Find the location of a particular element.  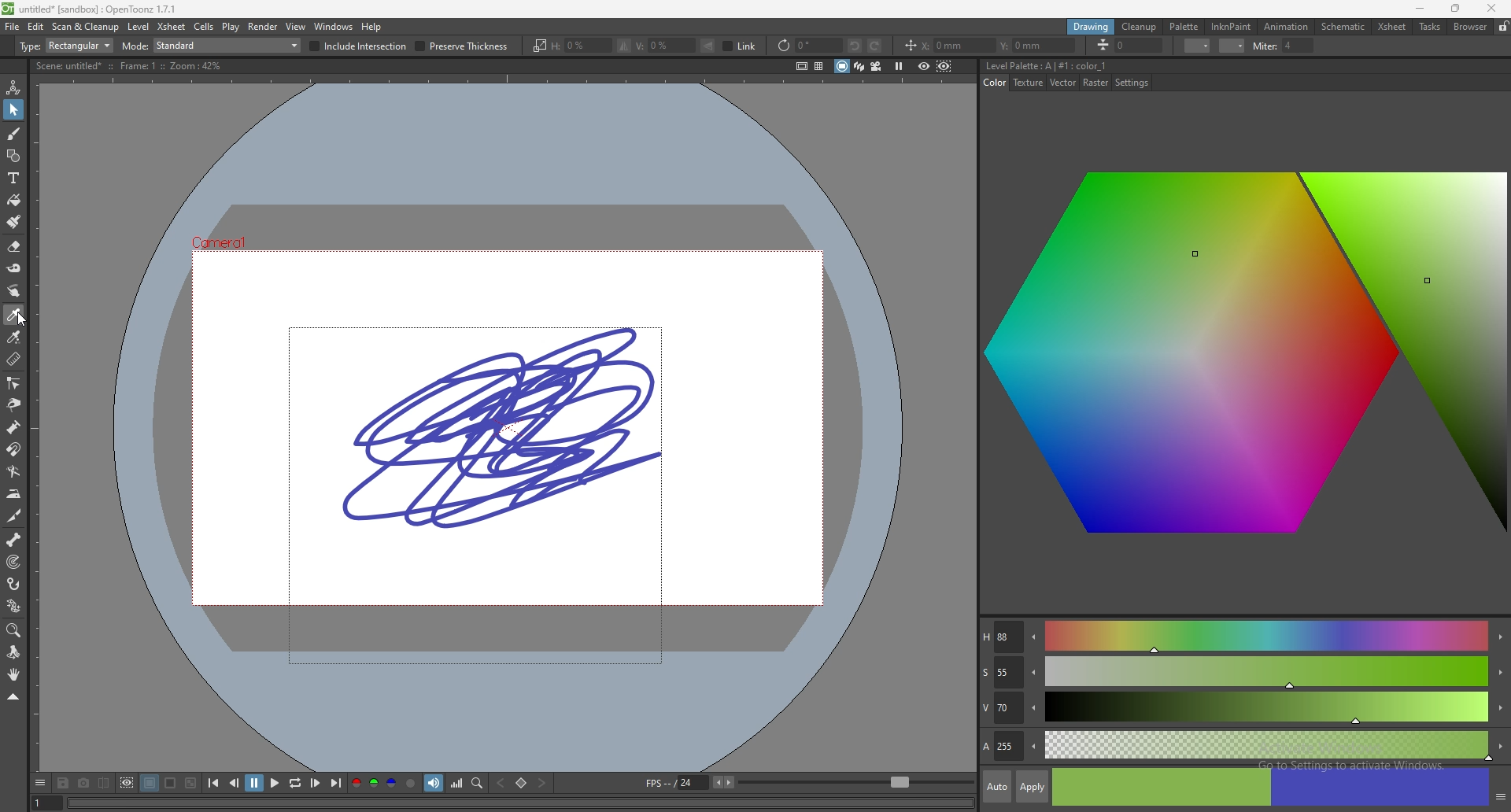

lock is located at coordinates (1502, 27).